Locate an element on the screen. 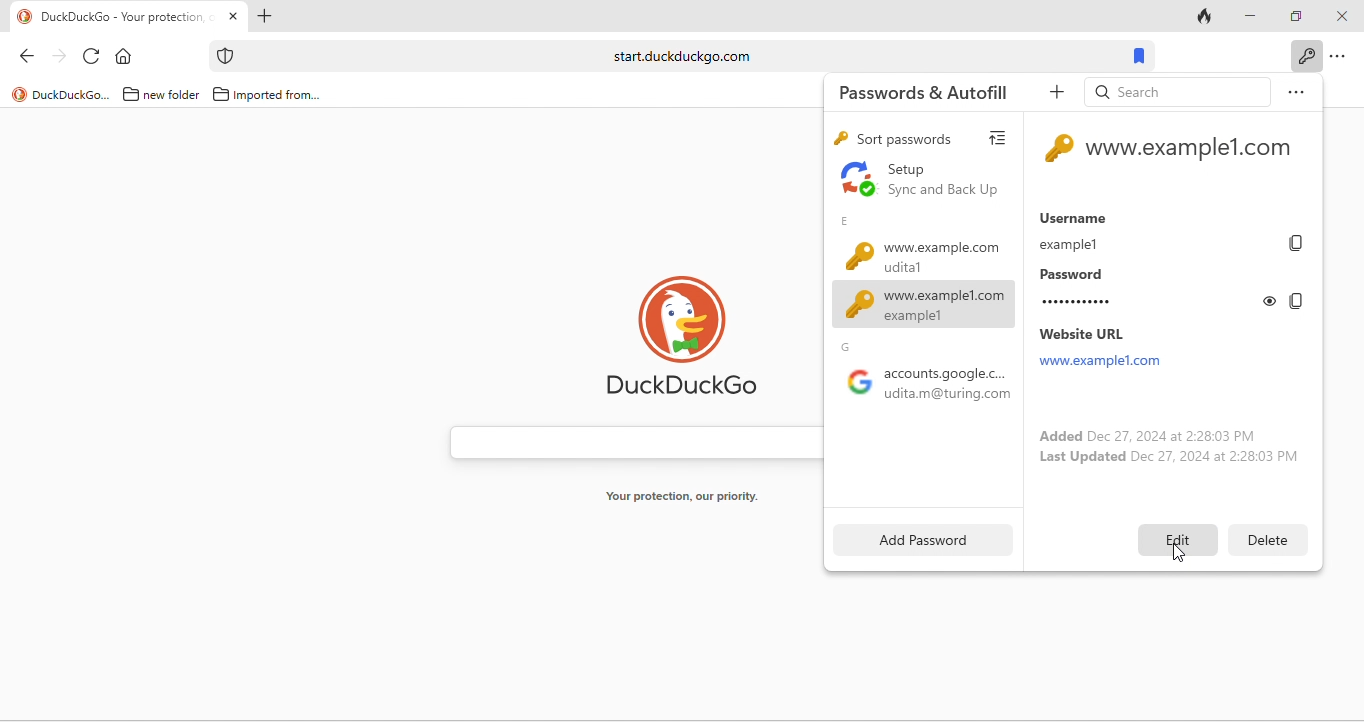 The width and height of the screenshot is (1364, 722). reload is located at coordinates (93, 54).